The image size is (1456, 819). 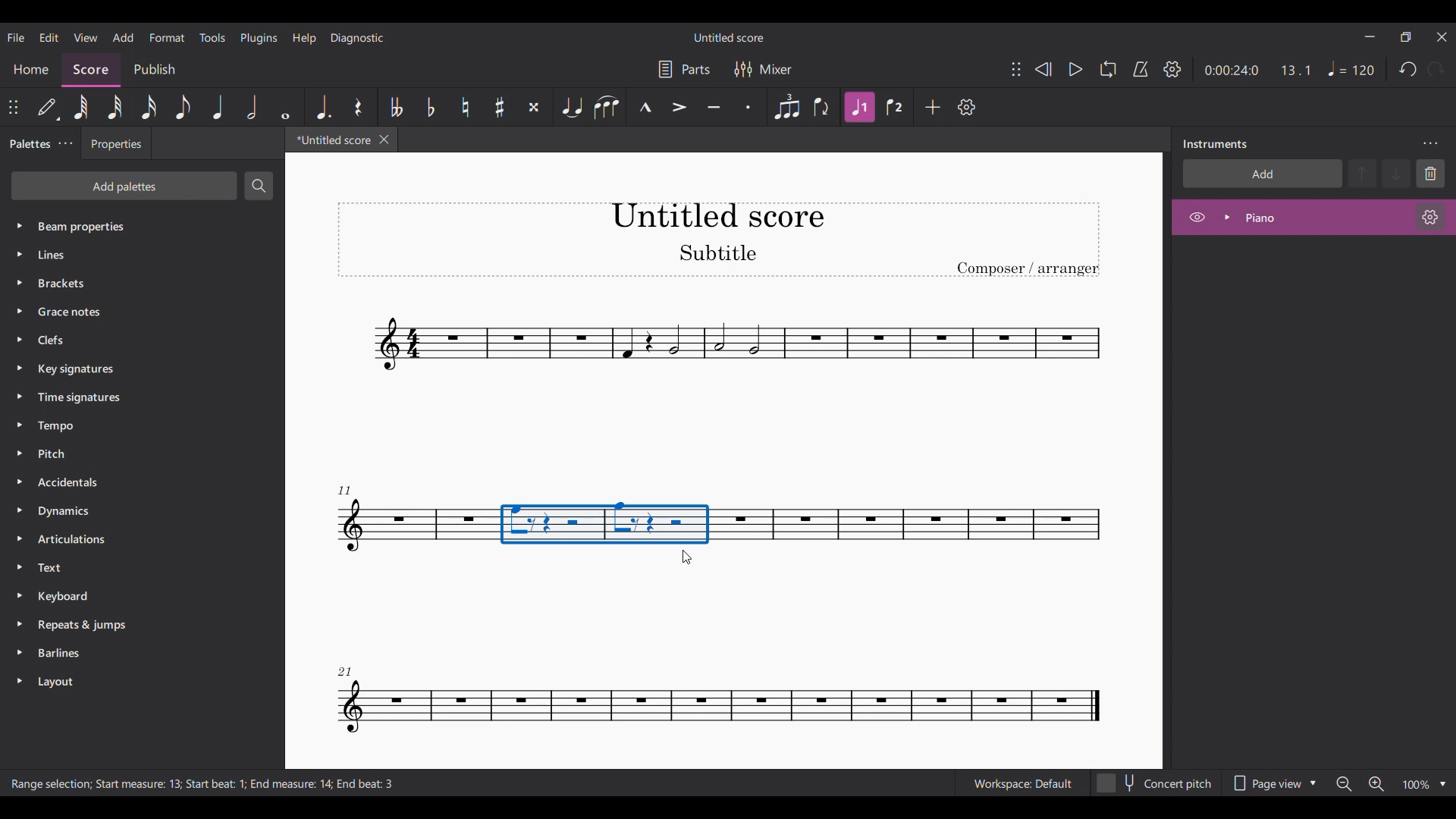 I want to click on Barlines, so click(x=130, y=655).